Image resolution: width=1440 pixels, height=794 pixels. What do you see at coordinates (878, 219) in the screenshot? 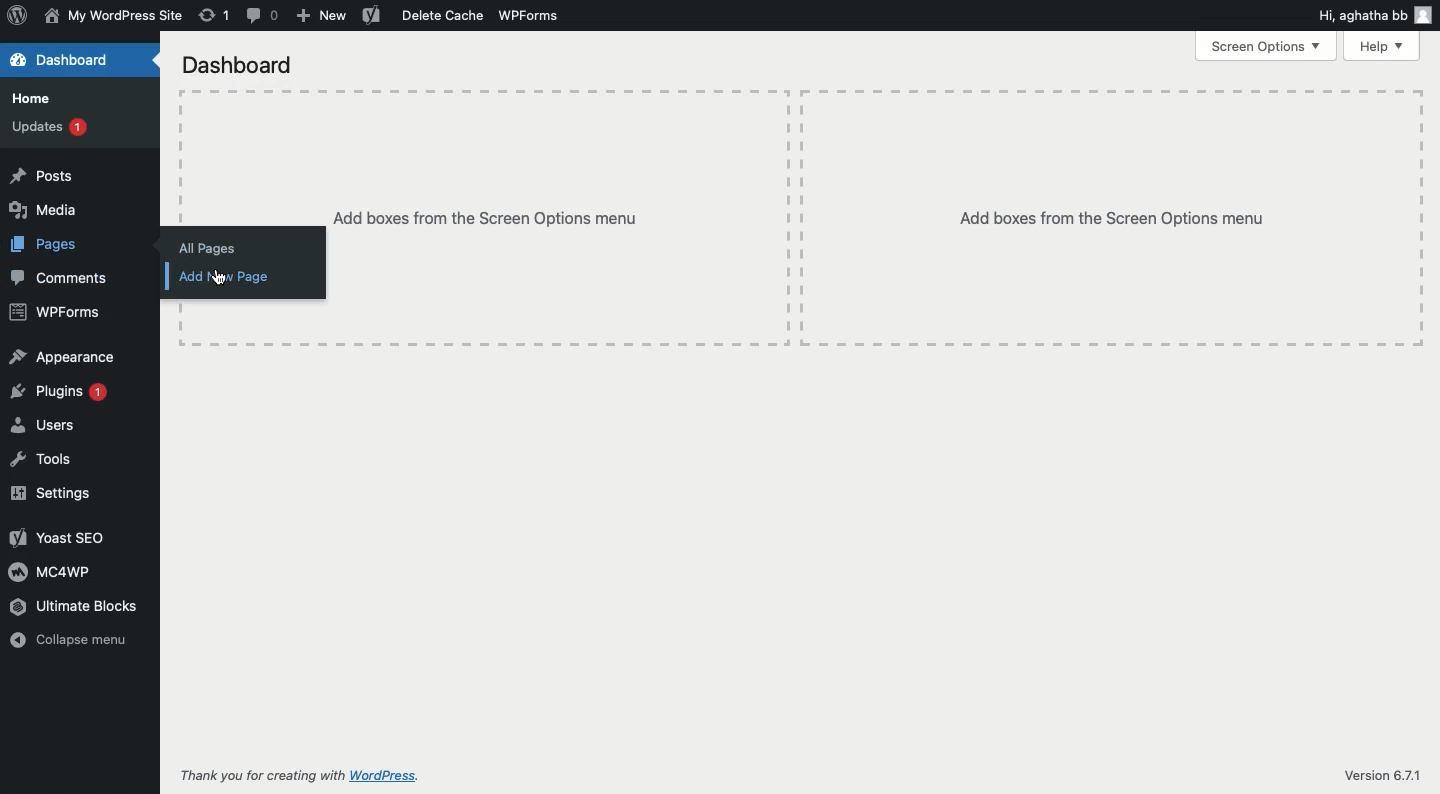
I see `Add boxes from the screen options menu` at bounding box center [878, 219].